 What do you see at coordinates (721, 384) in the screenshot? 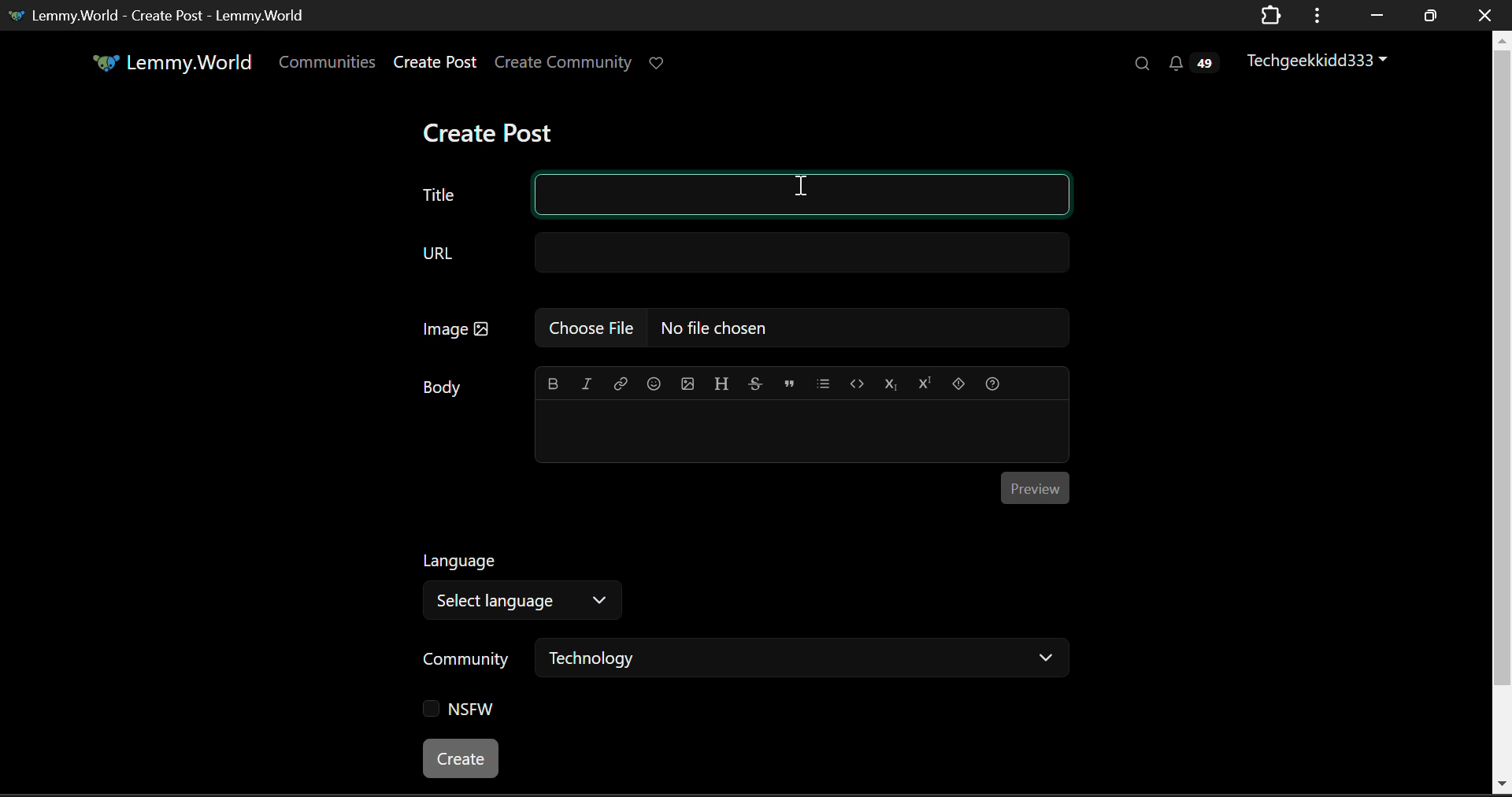
I see `Header` at bounding box center [721, 384].